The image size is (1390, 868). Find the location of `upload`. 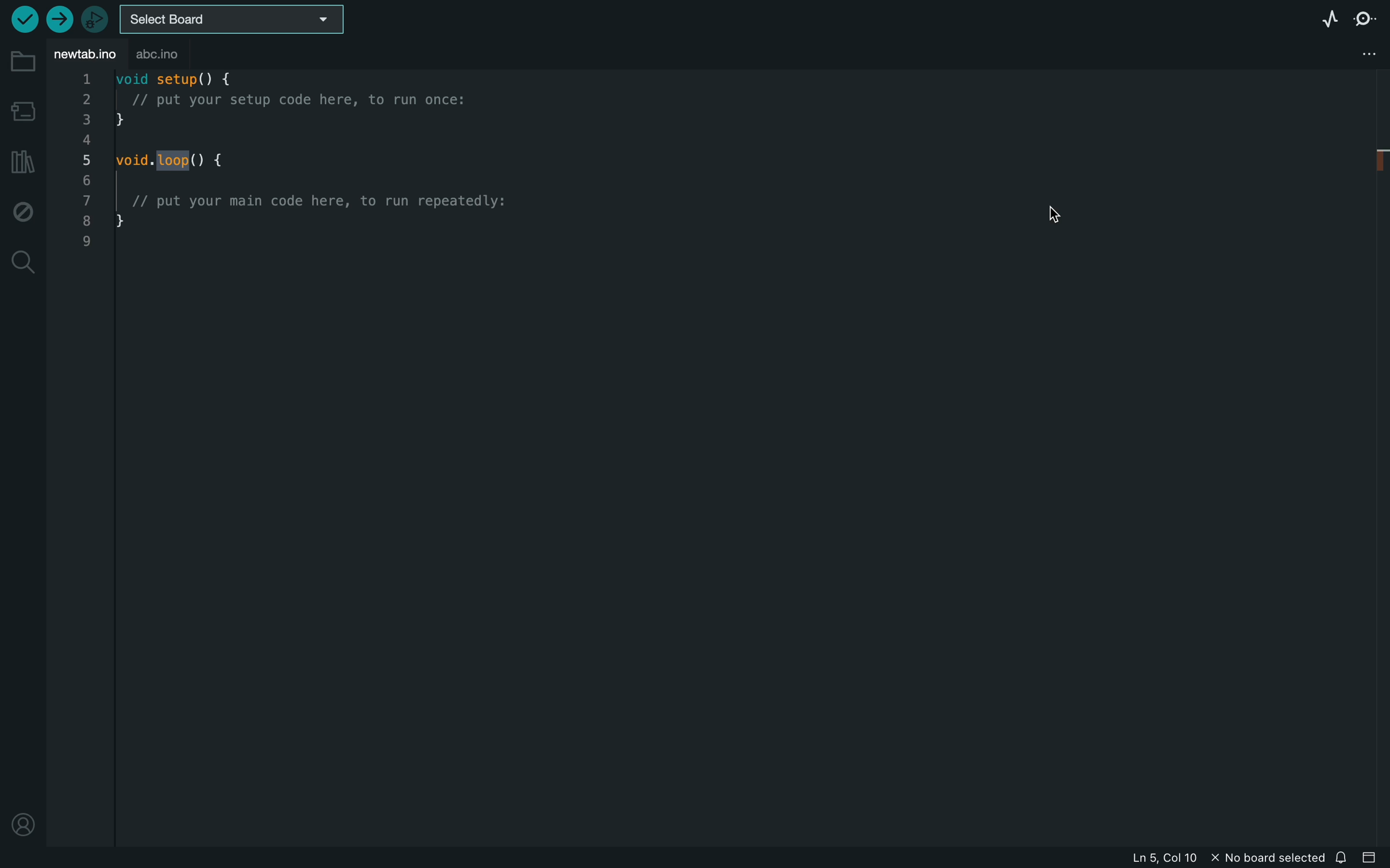

upload is located at coordinates (59, 21).